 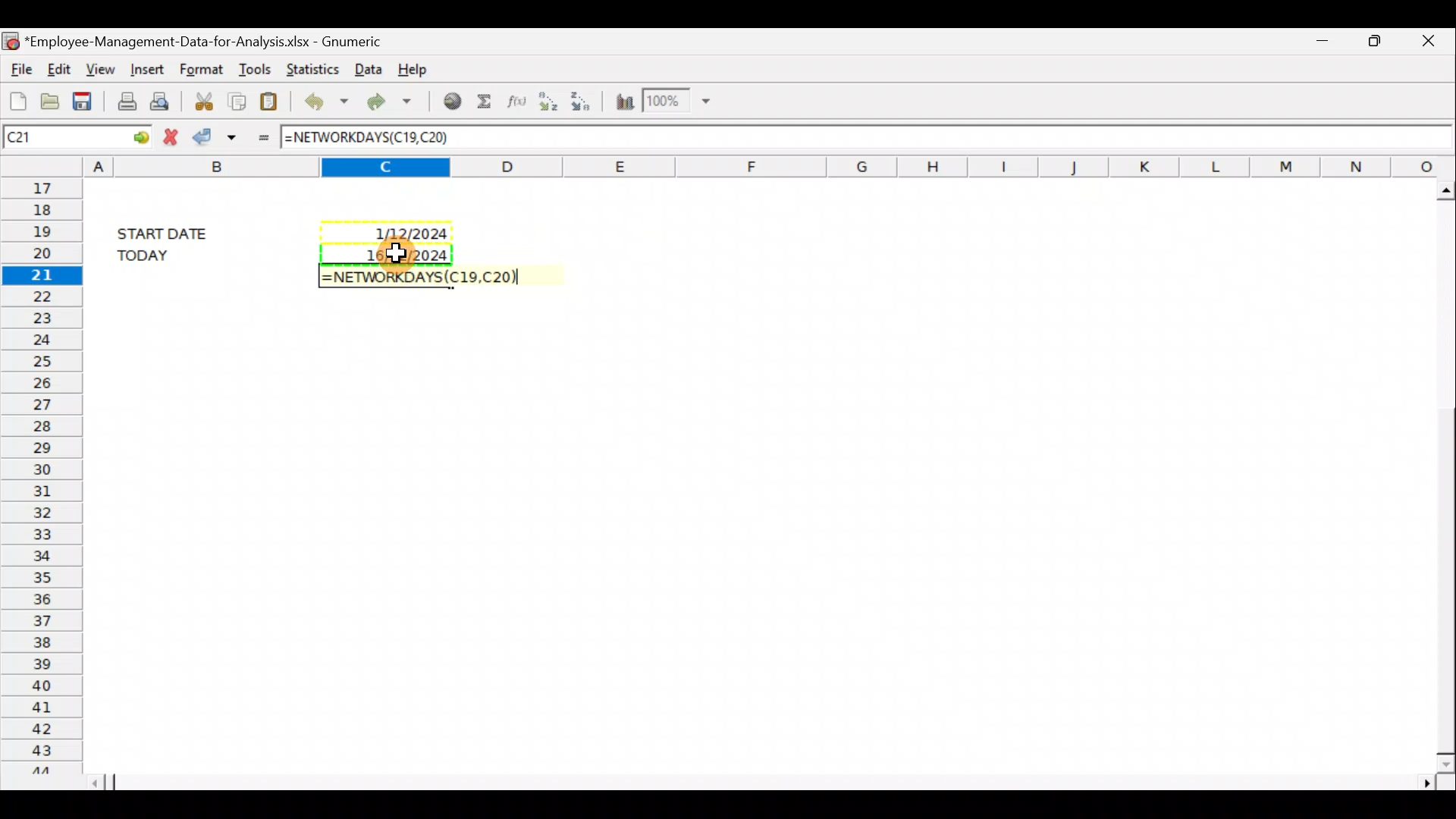 What do you see at coordinates (750, 539) in the screenshot?
I see `Cells` at bounding box center [750, 539].